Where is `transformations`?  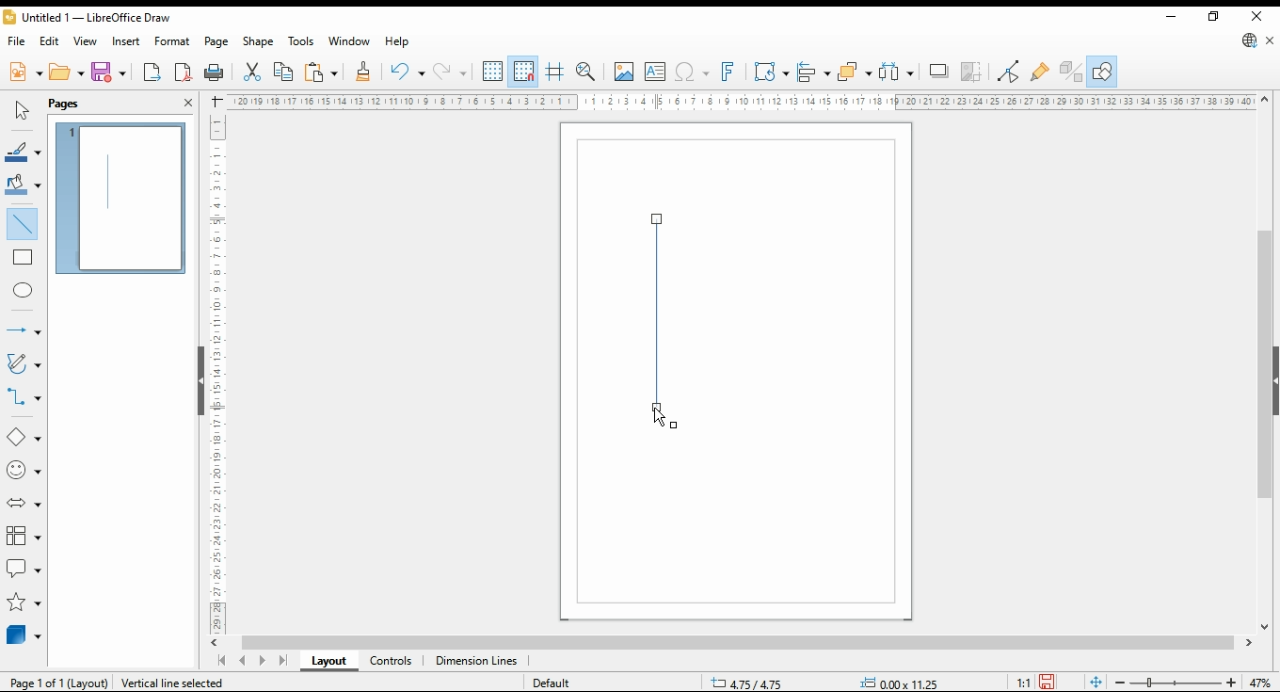
transformations is located at coordinates (771, 72).